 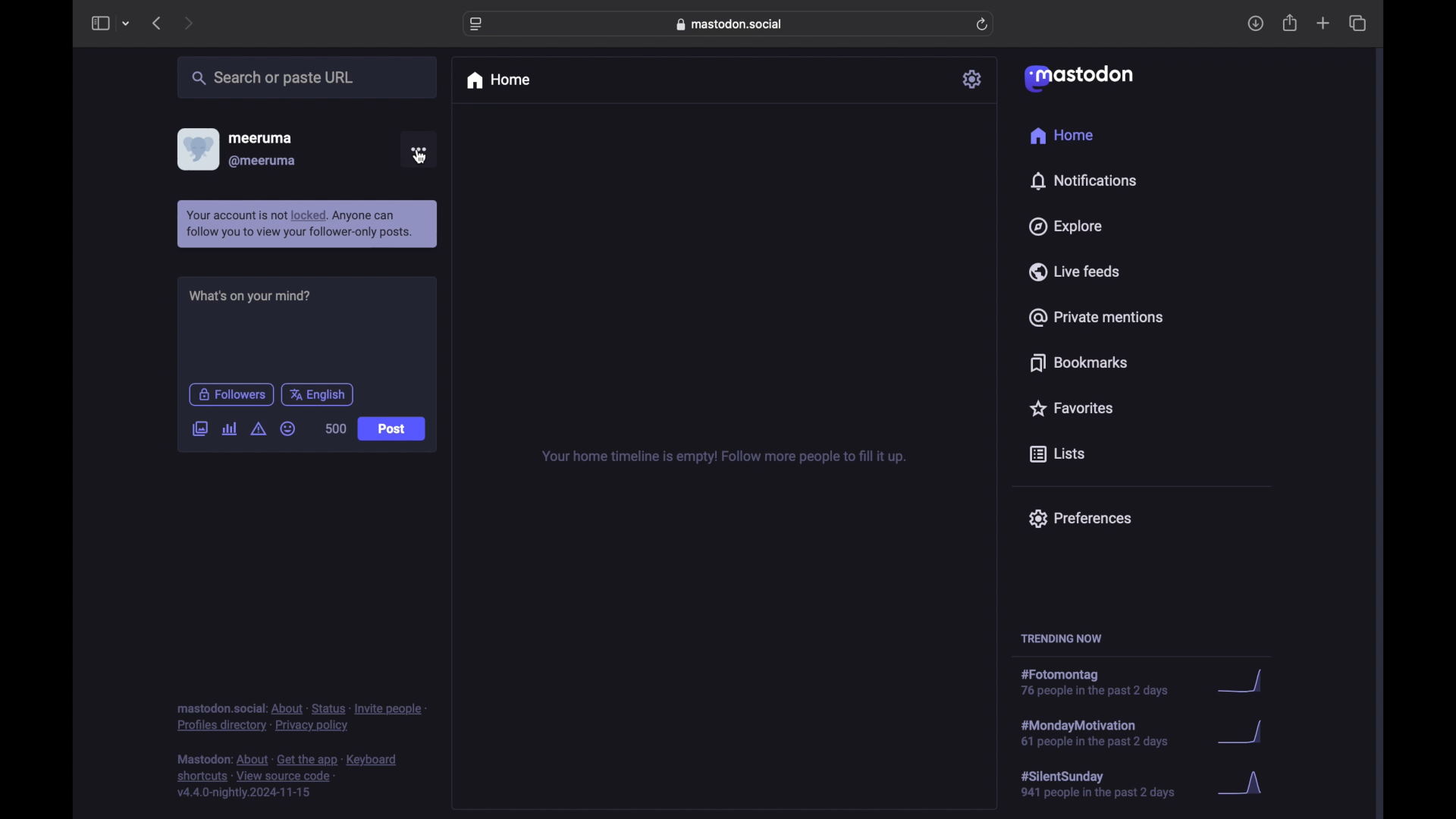 I want to click on sidebar, so click(x=99, y=24).